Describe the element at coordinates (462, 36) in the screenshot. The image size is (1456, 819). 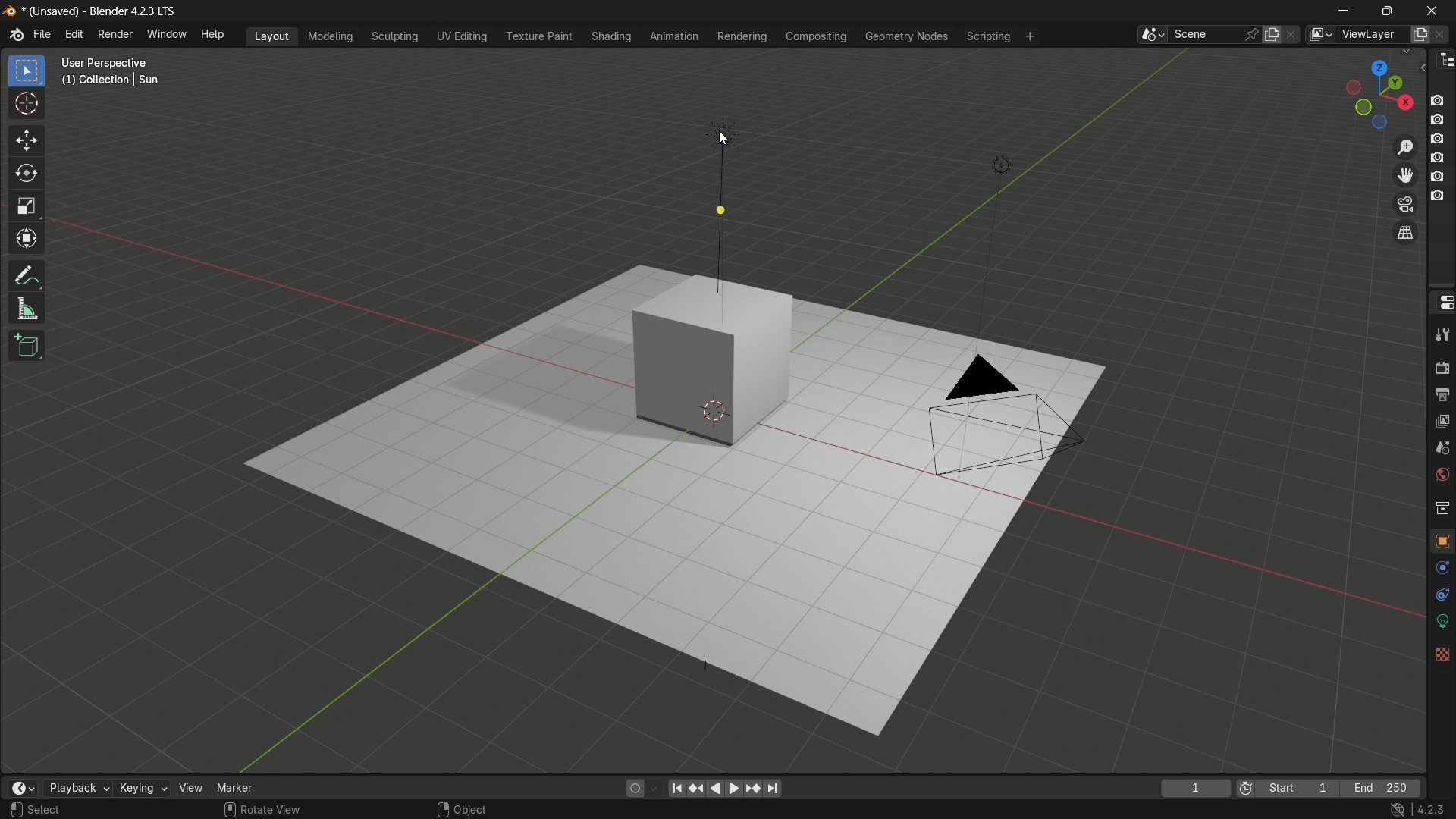
I see `uv editing` at that location.